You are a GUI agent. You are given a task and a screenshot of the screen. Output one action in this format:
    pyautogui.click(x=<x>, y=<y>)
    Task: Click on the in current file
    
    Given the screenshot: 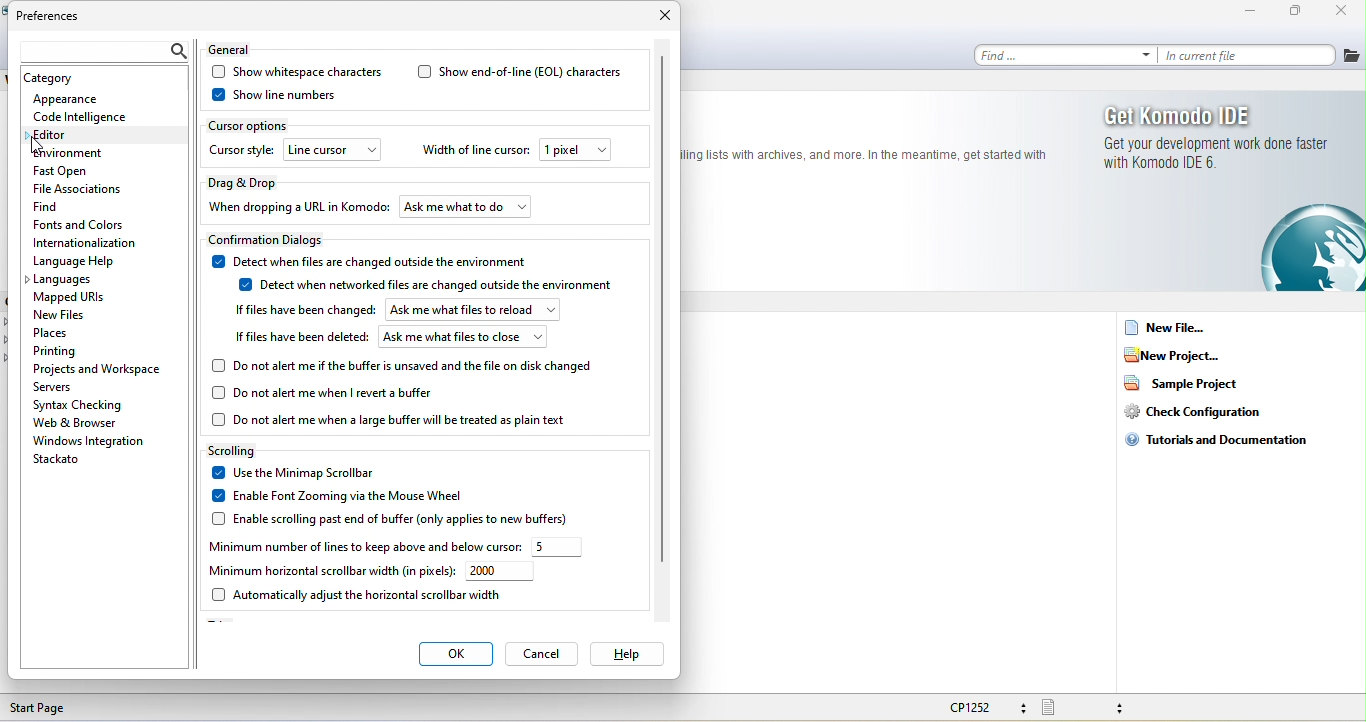 What is the action you would take?
    pyautogui.click(x=1250, y=54)
    